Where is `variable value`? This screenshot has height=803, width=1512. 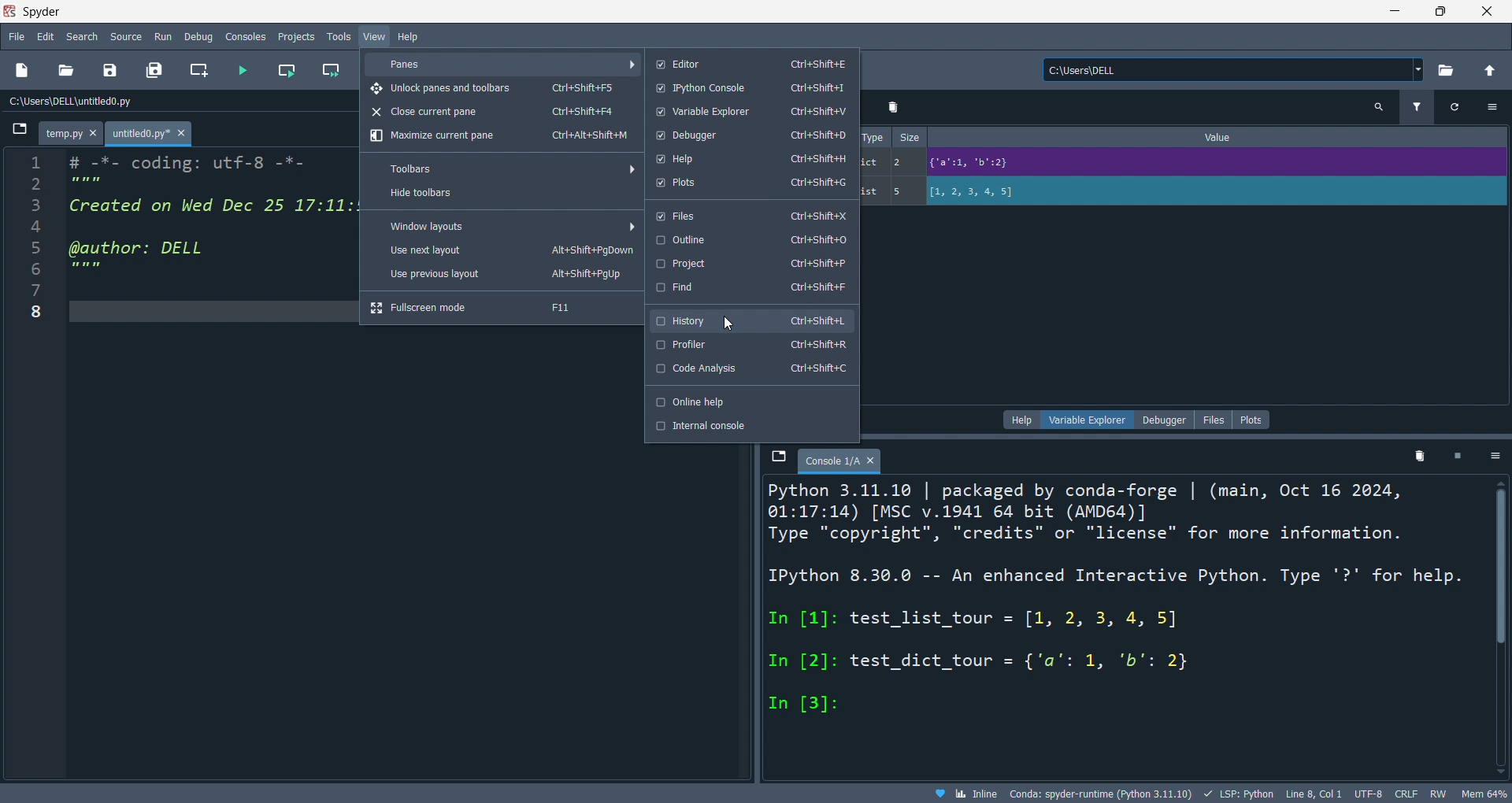 variable value is located at coordinates (1214, 193).